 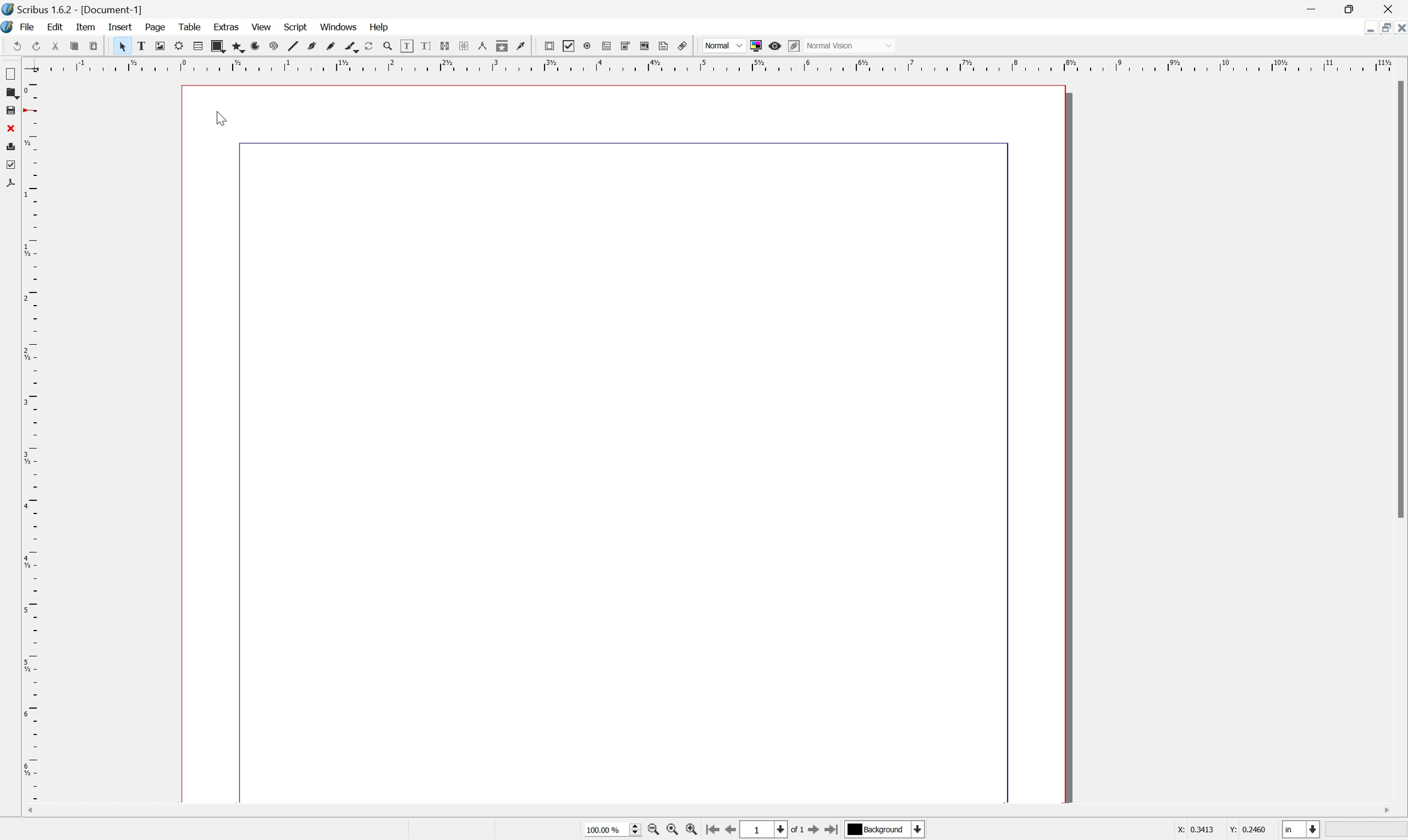 I want to click on spiral, so click(x=408, y=45).